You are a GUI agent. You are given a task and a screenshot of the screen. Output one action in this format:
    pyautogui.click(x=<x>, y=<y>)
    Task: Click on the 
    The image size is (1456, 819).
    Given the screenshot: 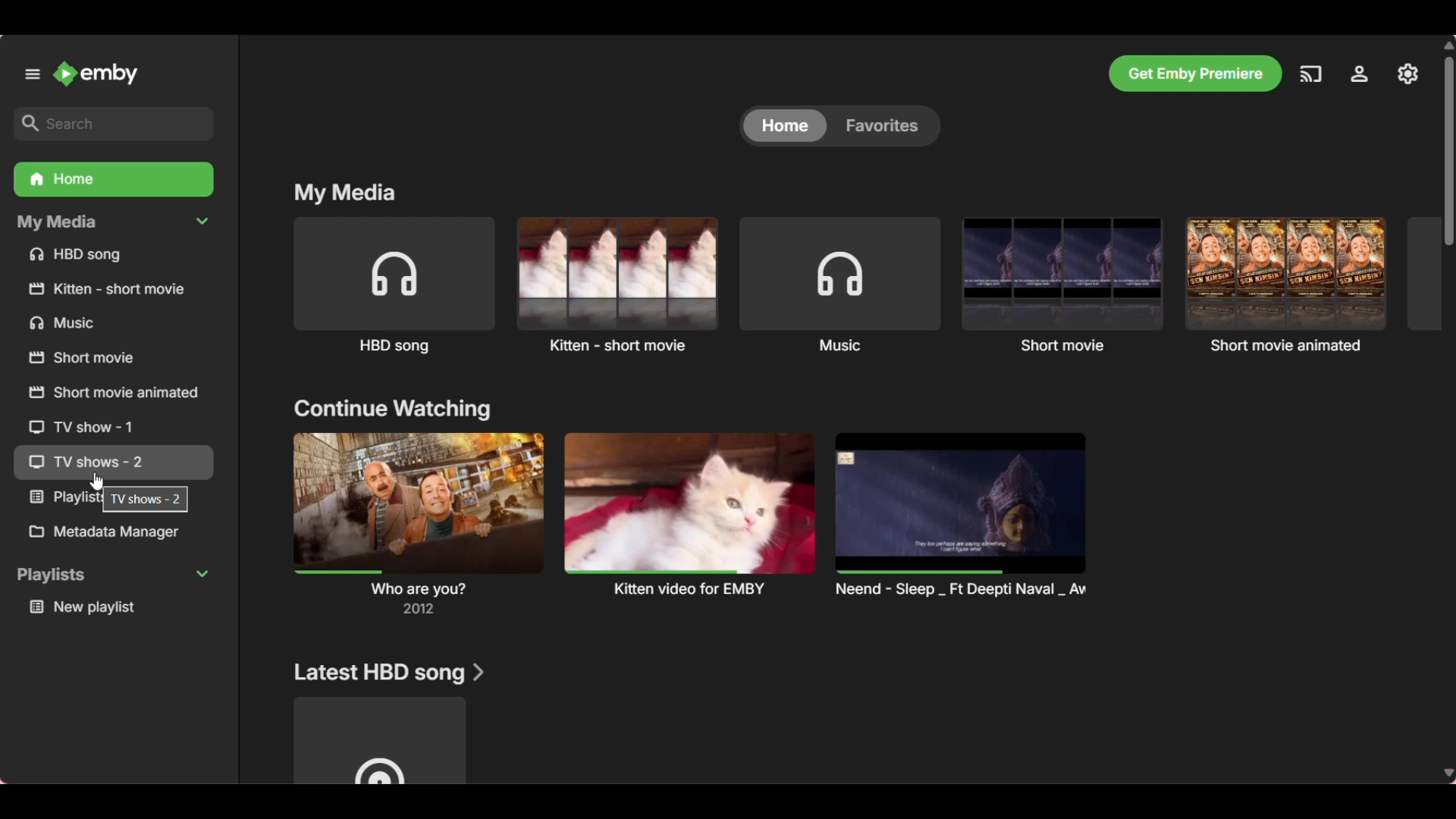 What is the action you would take?
    pyautogui.click(x=960, y=521)
    